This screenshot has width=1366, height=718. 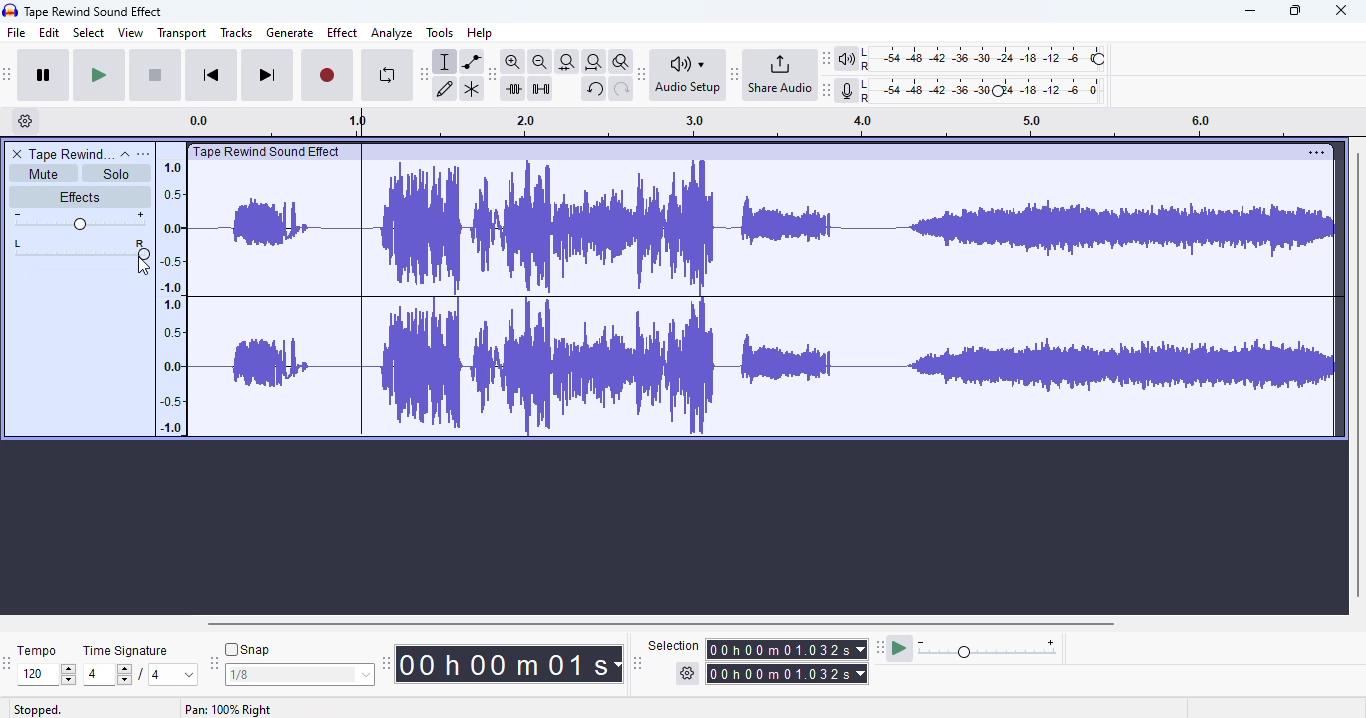 I want to click on tempo, so click(x=36, y=650).